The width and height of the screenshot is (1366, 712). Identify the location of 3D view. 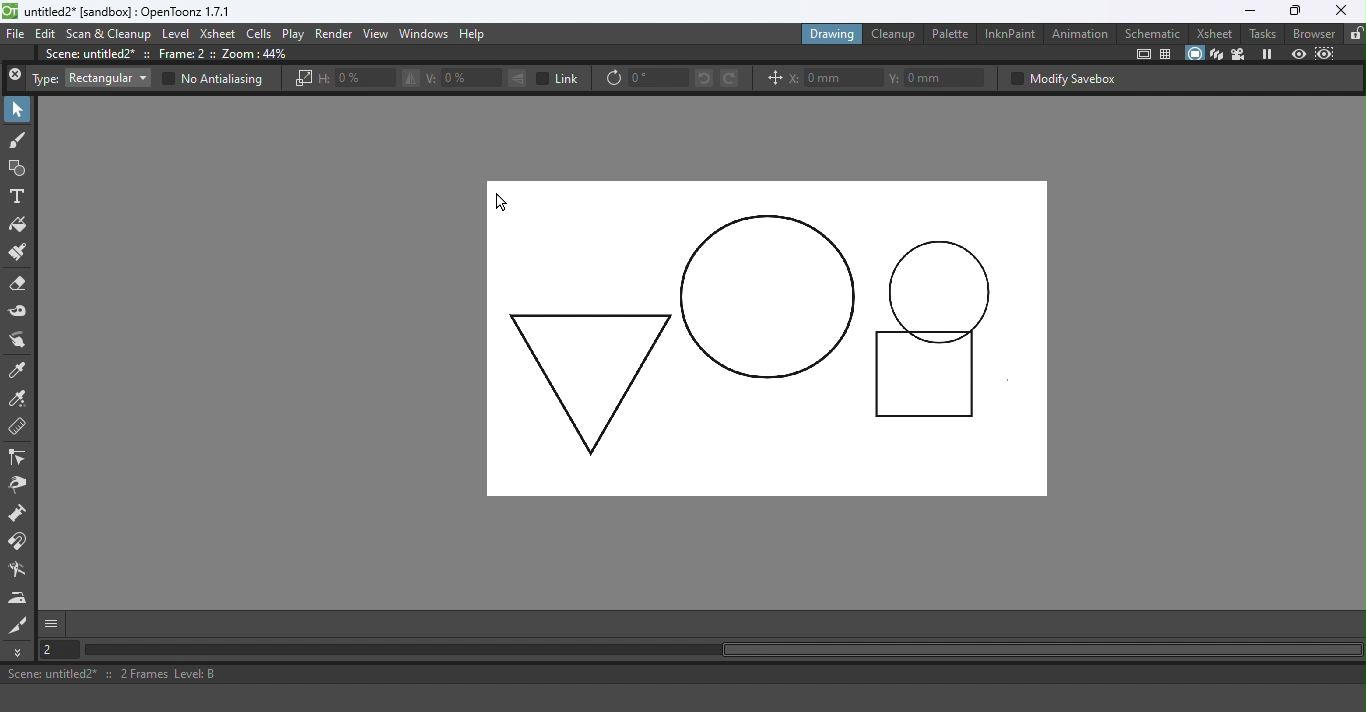
(1217, 54).